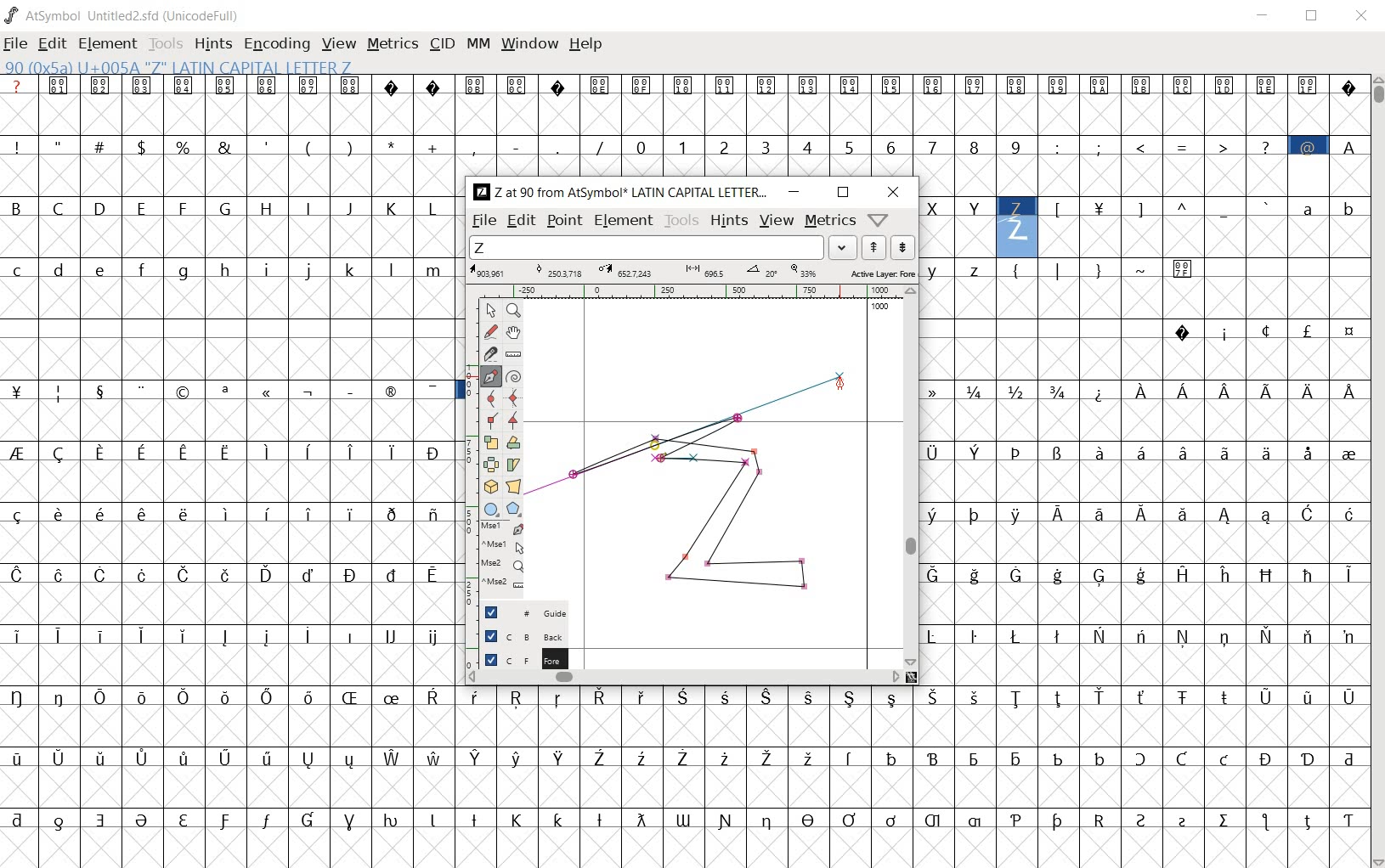 The width and height of the screenshot is (1385, 868). I want to click on Add a corner point, so click(512, 420).